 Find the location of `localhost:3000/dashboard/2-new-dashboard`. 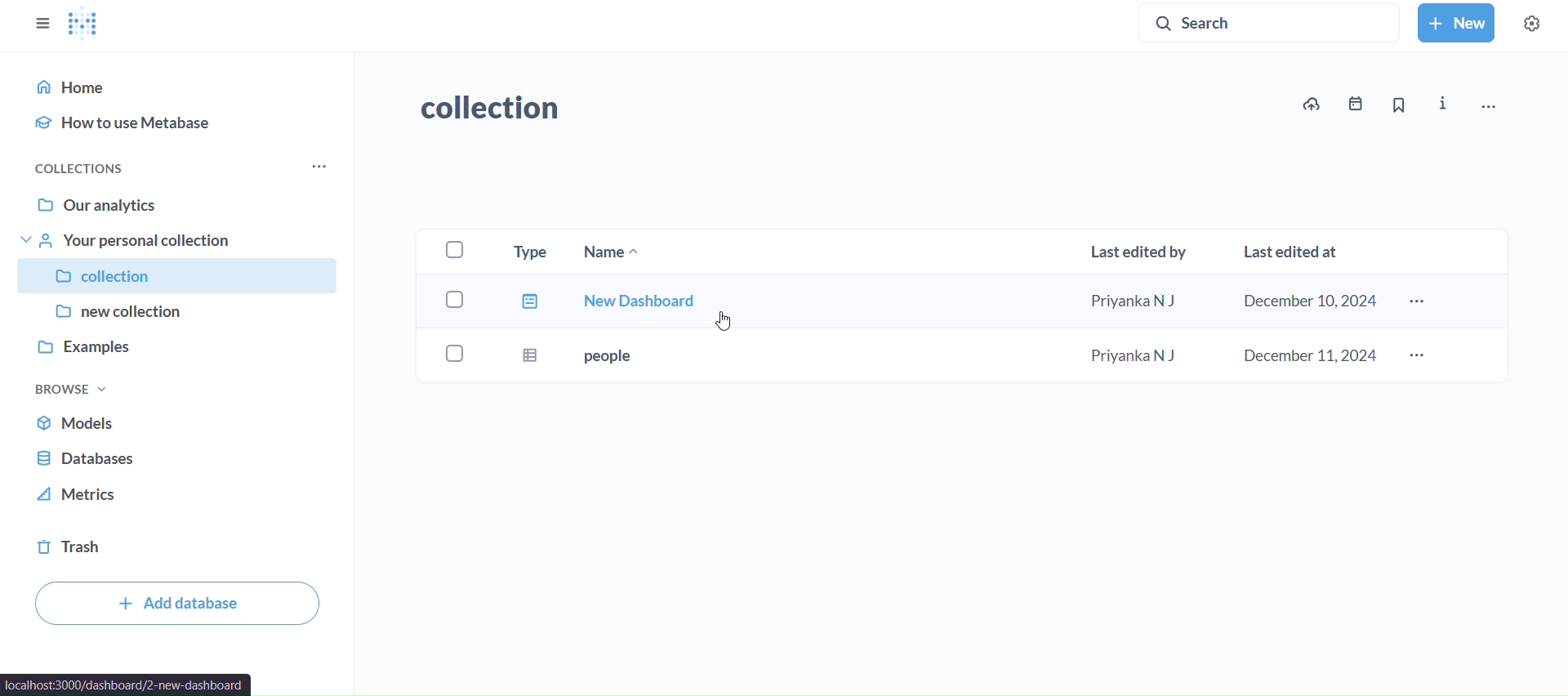

localhost:3000/dashboard/2-new-dashboard is located at coordinates (126, 685).